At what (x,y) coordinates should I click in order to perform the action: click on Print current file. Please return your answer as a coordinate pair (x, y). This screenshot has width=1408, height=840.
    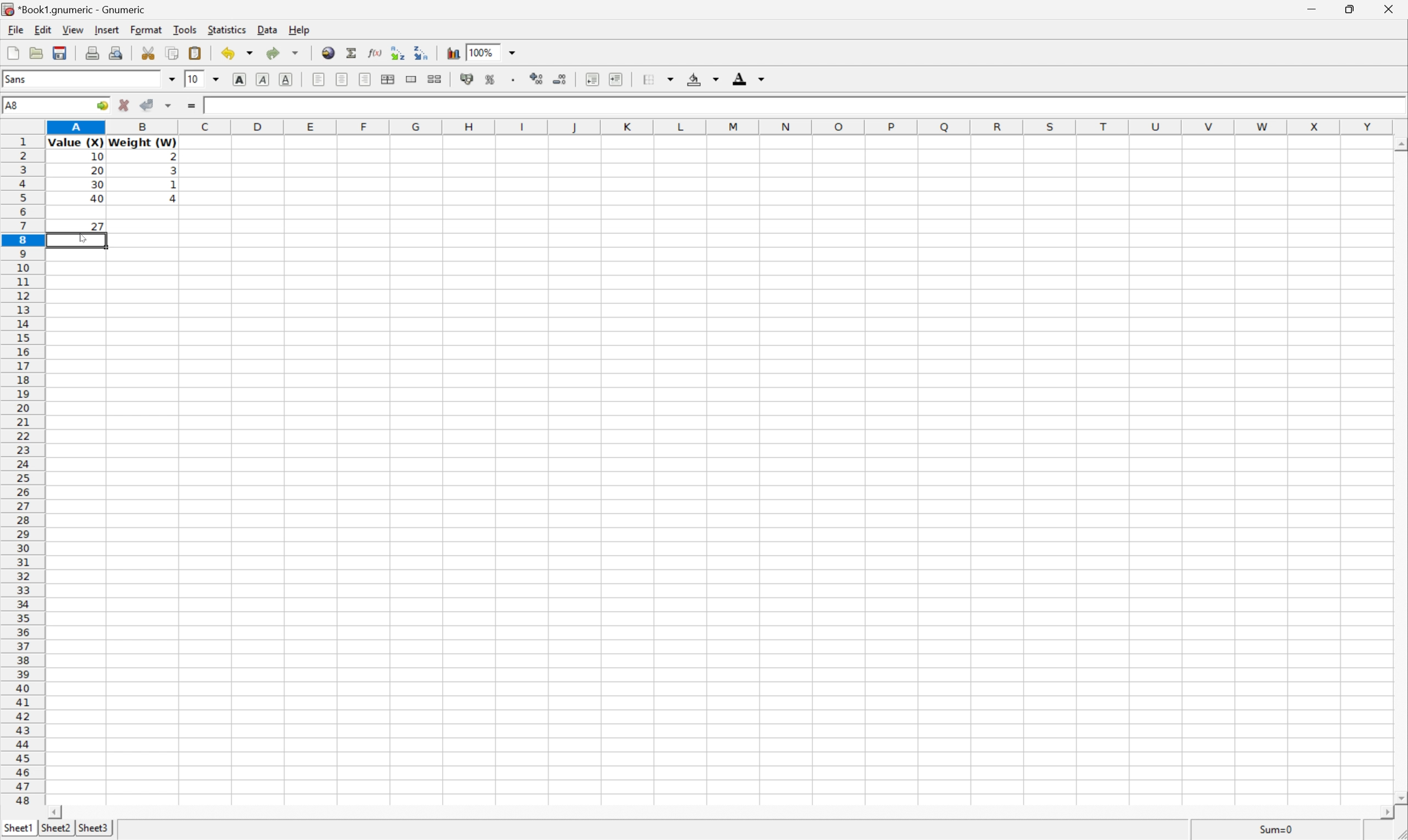
    Looking at the image, I should click on (93, 53).